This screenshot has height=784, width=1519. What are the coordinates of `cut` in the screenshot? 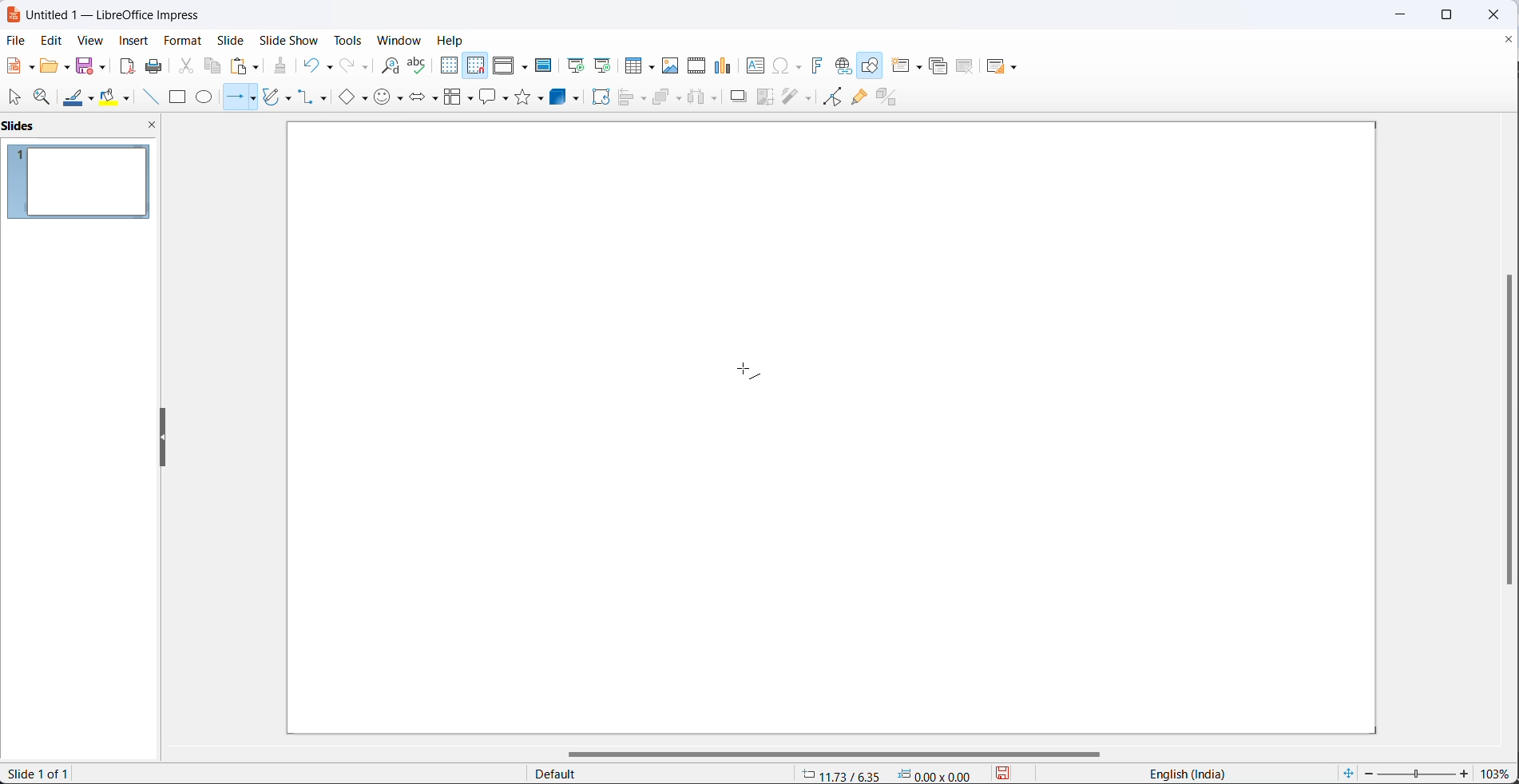 It's located at (185, 65).